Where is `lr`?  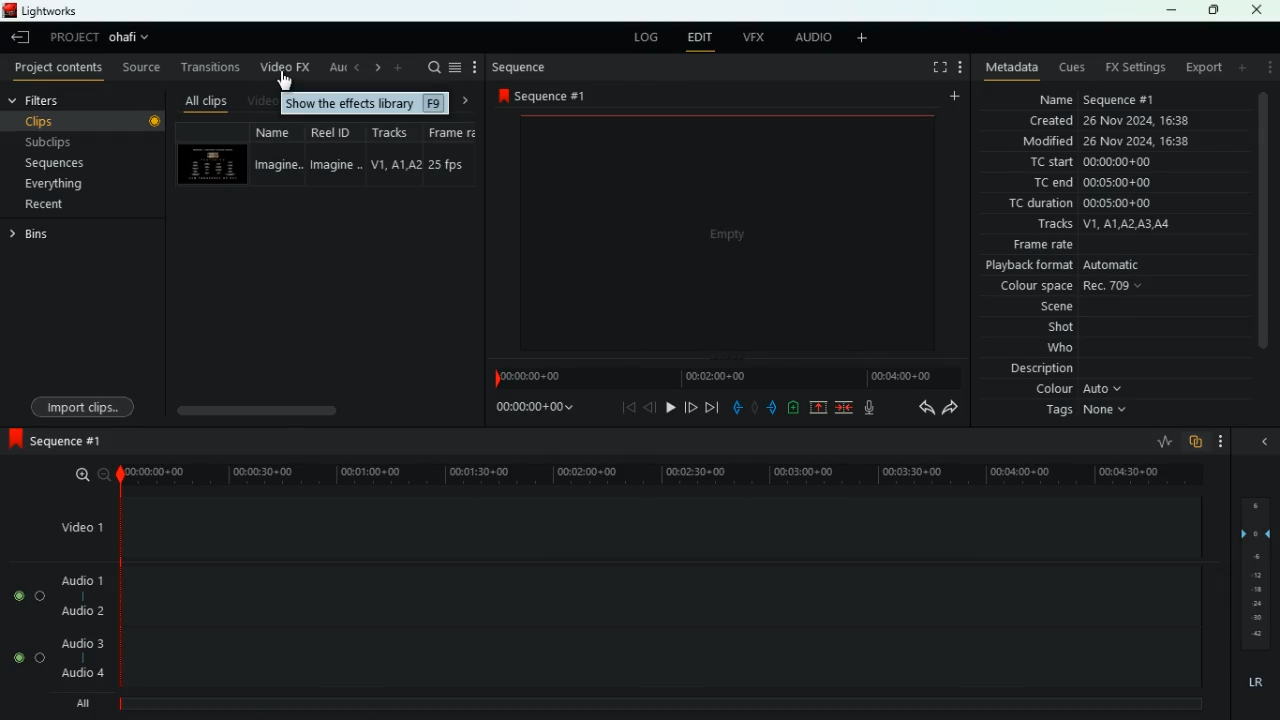 lr is located at coordinates (1256, 683).